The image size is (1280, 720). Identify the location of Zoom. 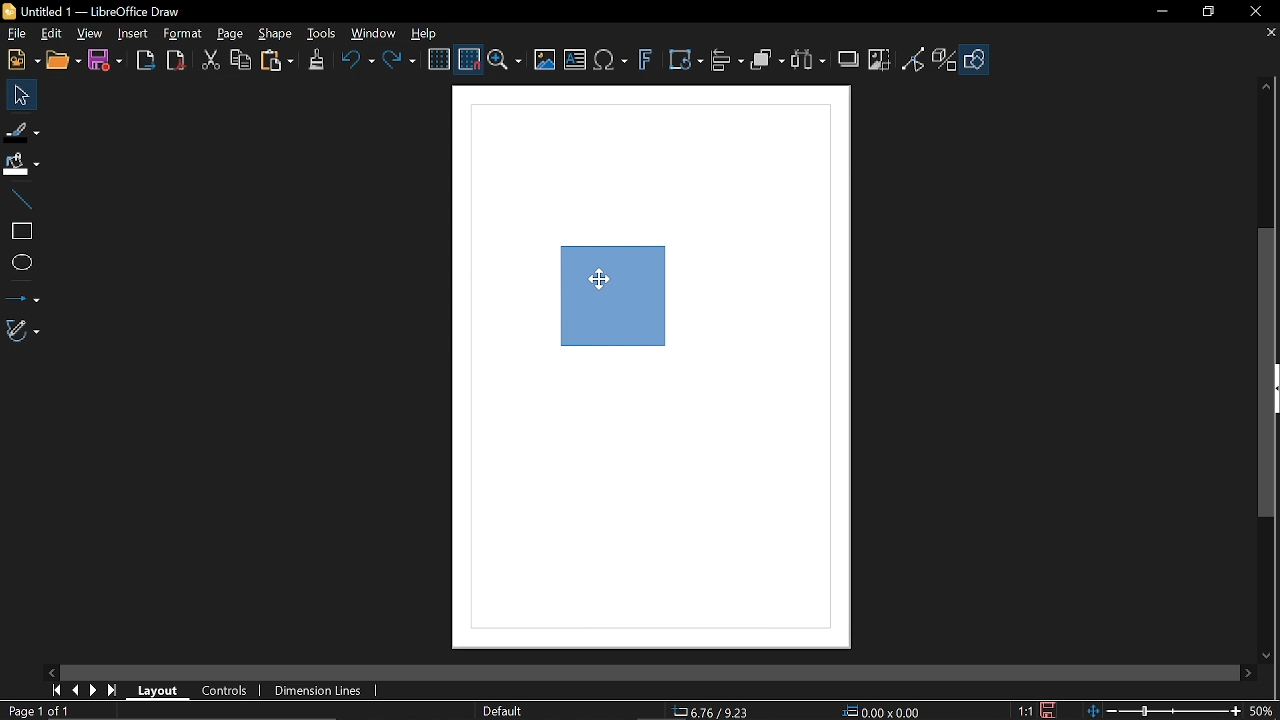
(506, 60).